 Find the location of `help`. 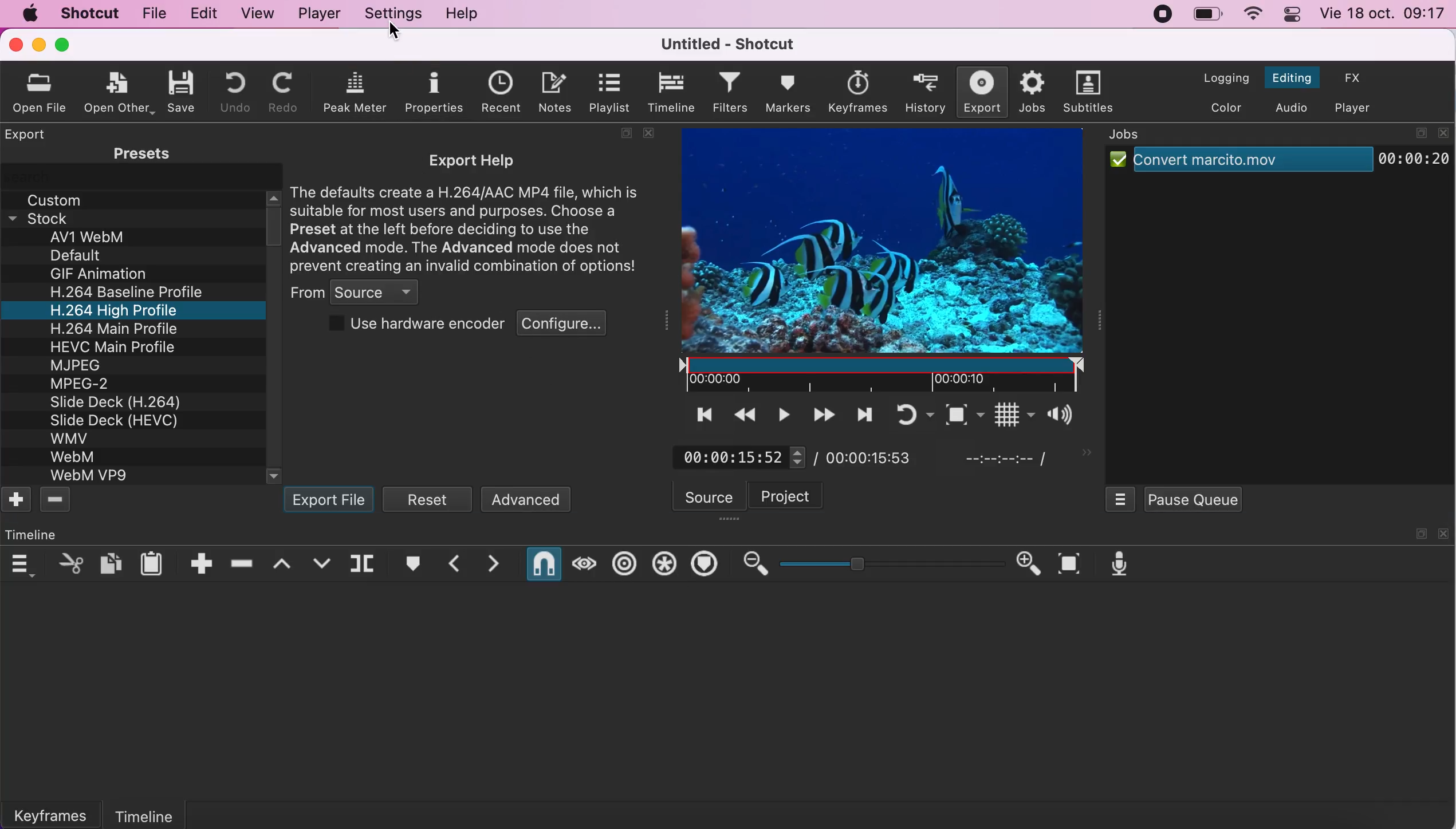

help is located at coordinates (464, 15).